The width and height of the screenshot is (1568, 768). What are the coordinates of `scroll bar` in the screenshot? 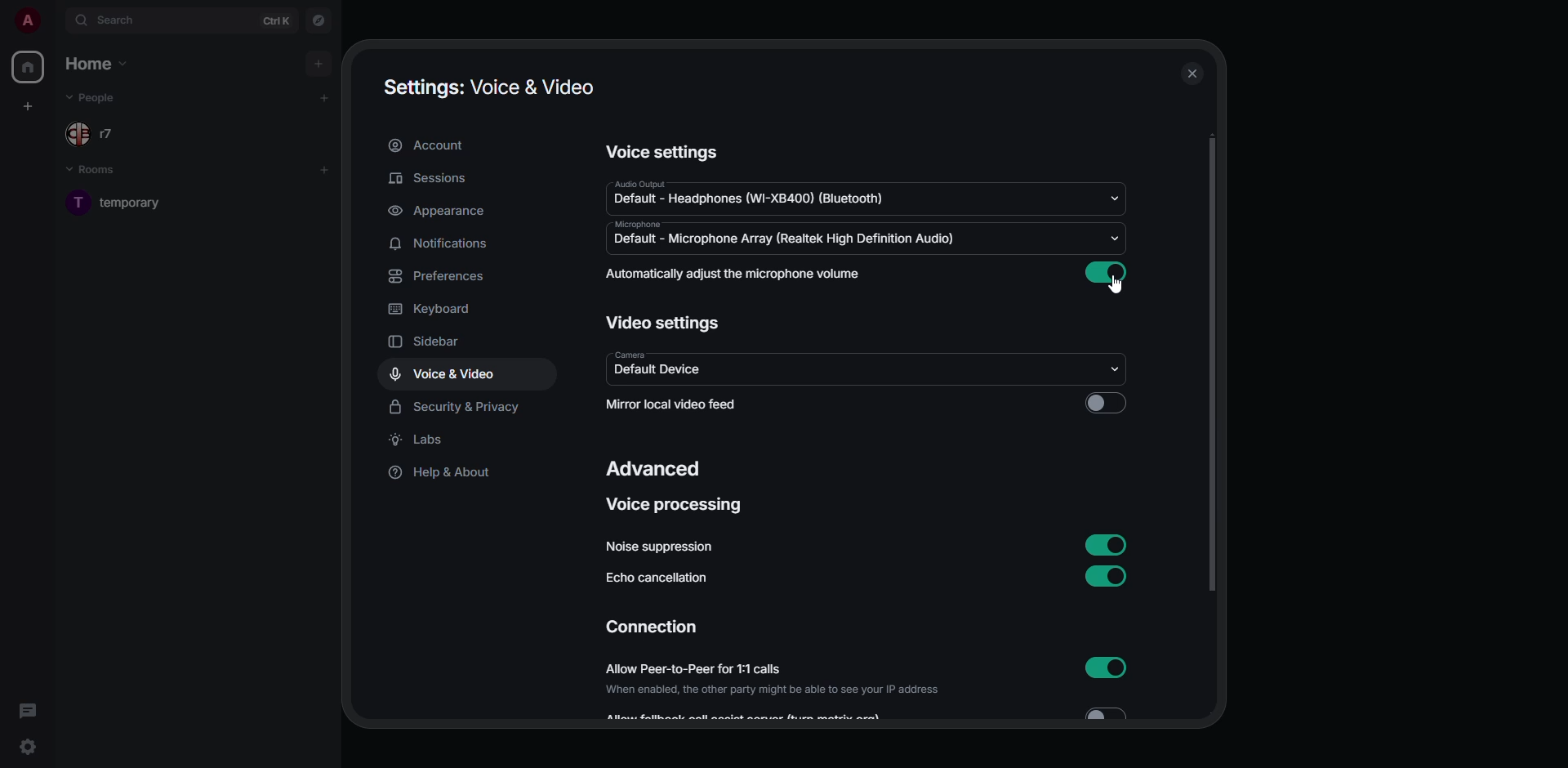 It's located at (1211, 363).